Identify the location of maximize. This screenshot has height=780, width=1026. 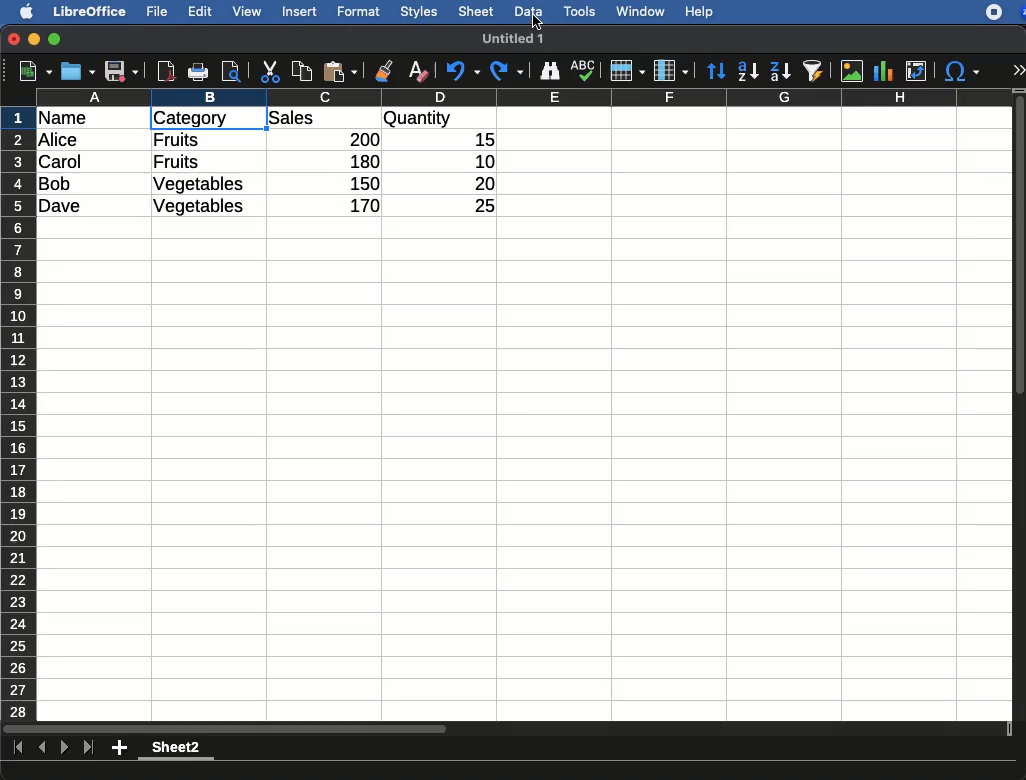
(57, 40).